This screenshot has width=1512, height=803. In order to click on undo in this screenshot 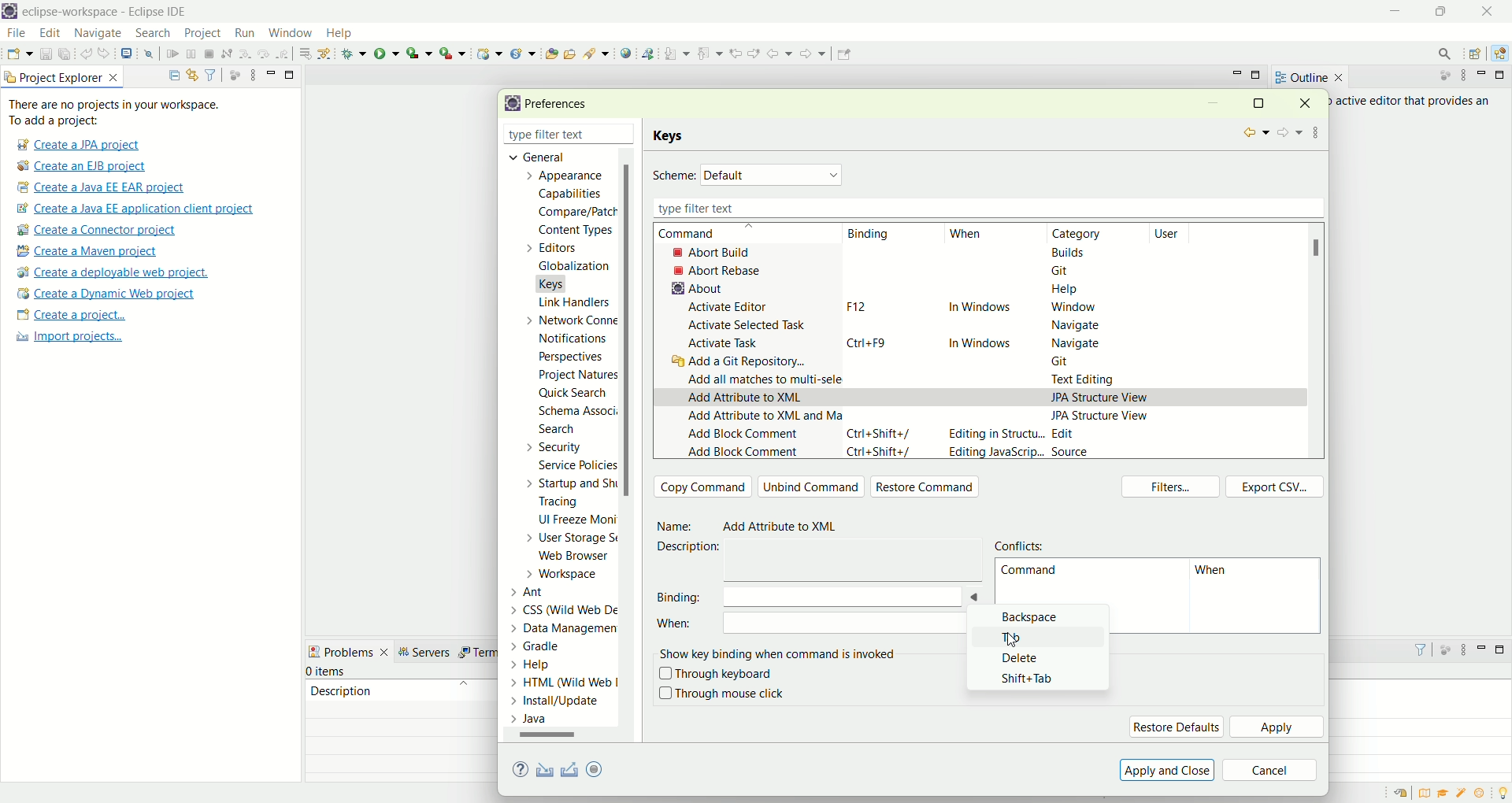, I will do `click(87, 54)`.